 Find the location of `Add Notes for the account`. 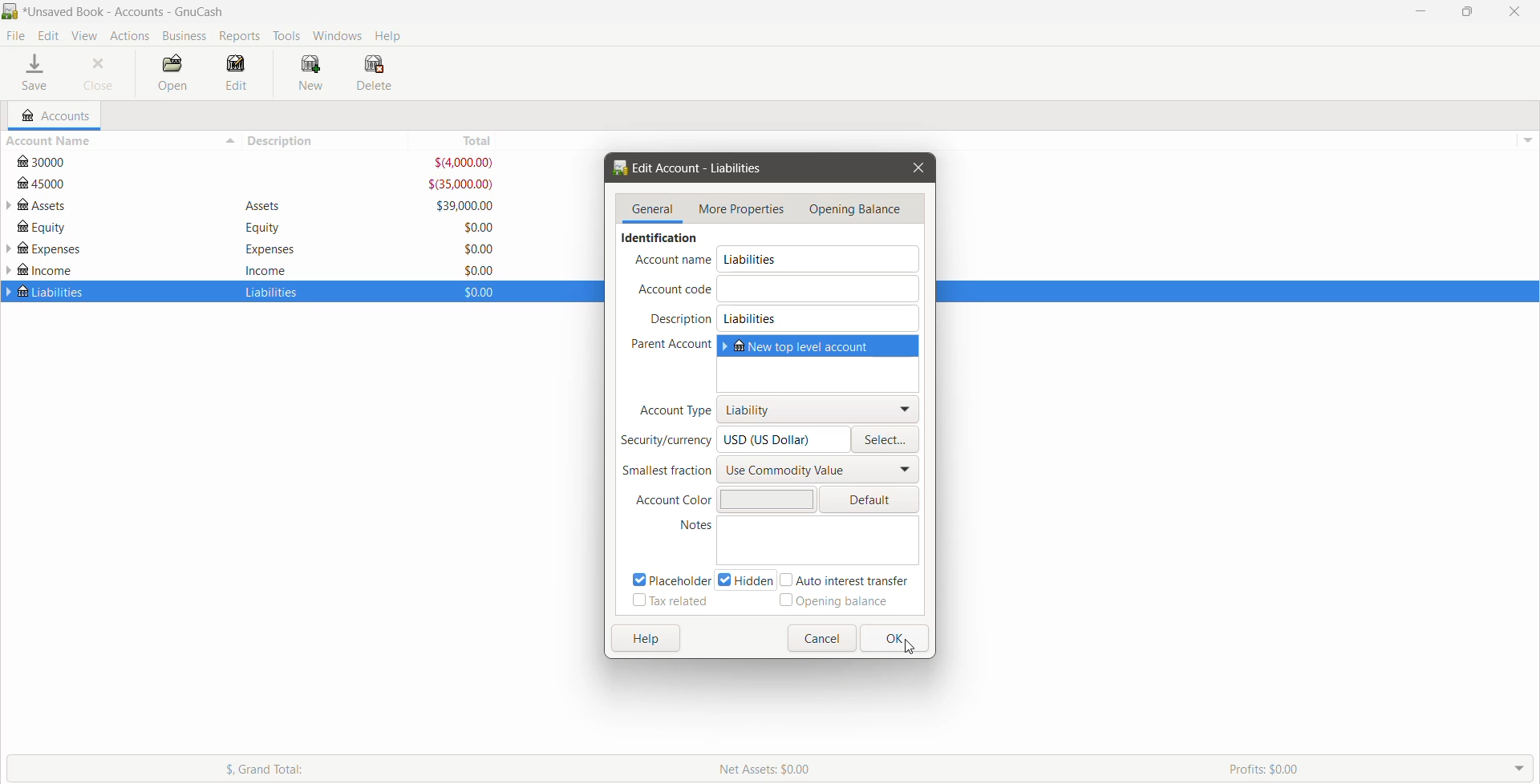

Add Notes for the account is located at coordinates (821, 540).